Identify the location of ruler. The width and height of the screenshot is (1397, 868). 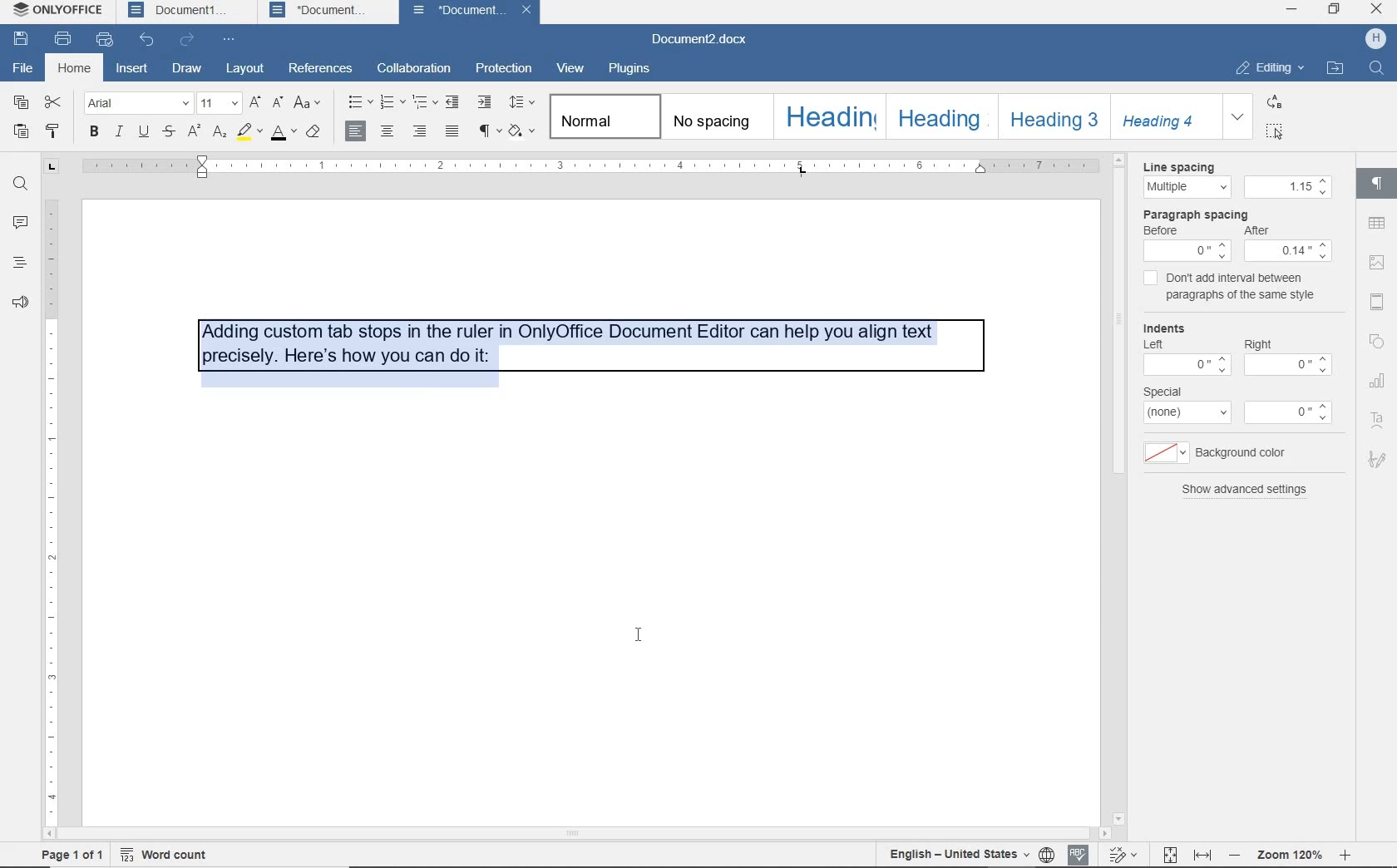
(52, 501).